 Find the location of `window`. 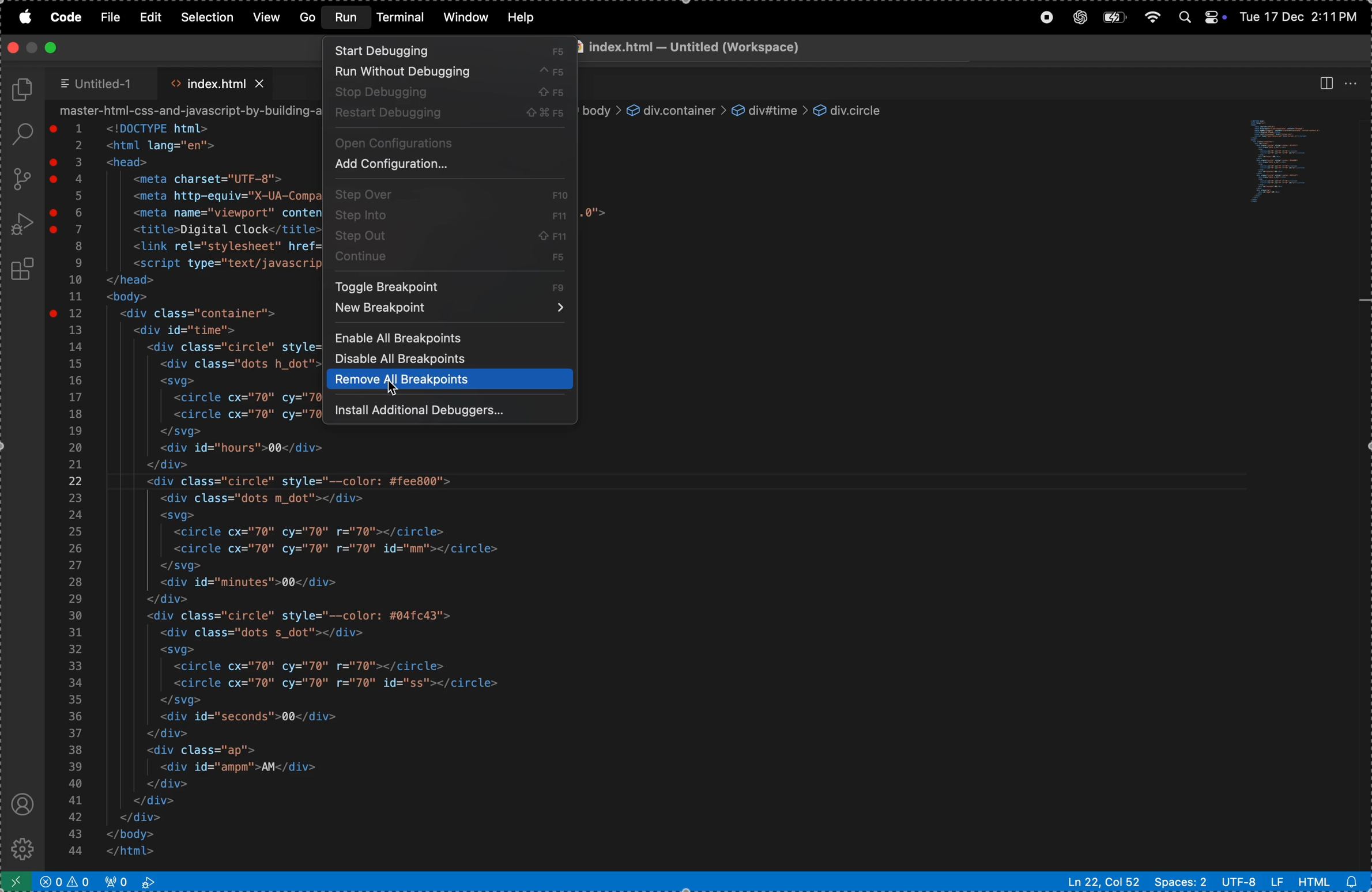

window is located at coordinates (466, 17).